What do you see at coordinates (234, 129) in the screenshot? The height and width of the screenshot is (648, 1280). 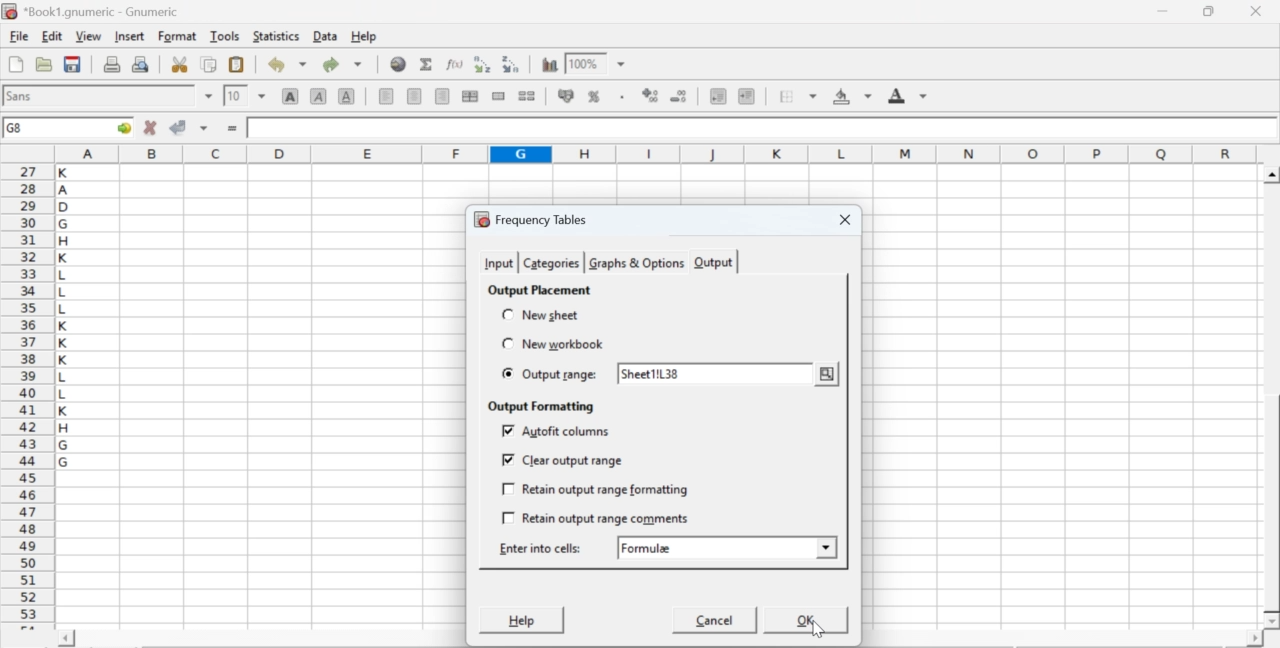 I see `enter formula` at bounding box center [234, 129].